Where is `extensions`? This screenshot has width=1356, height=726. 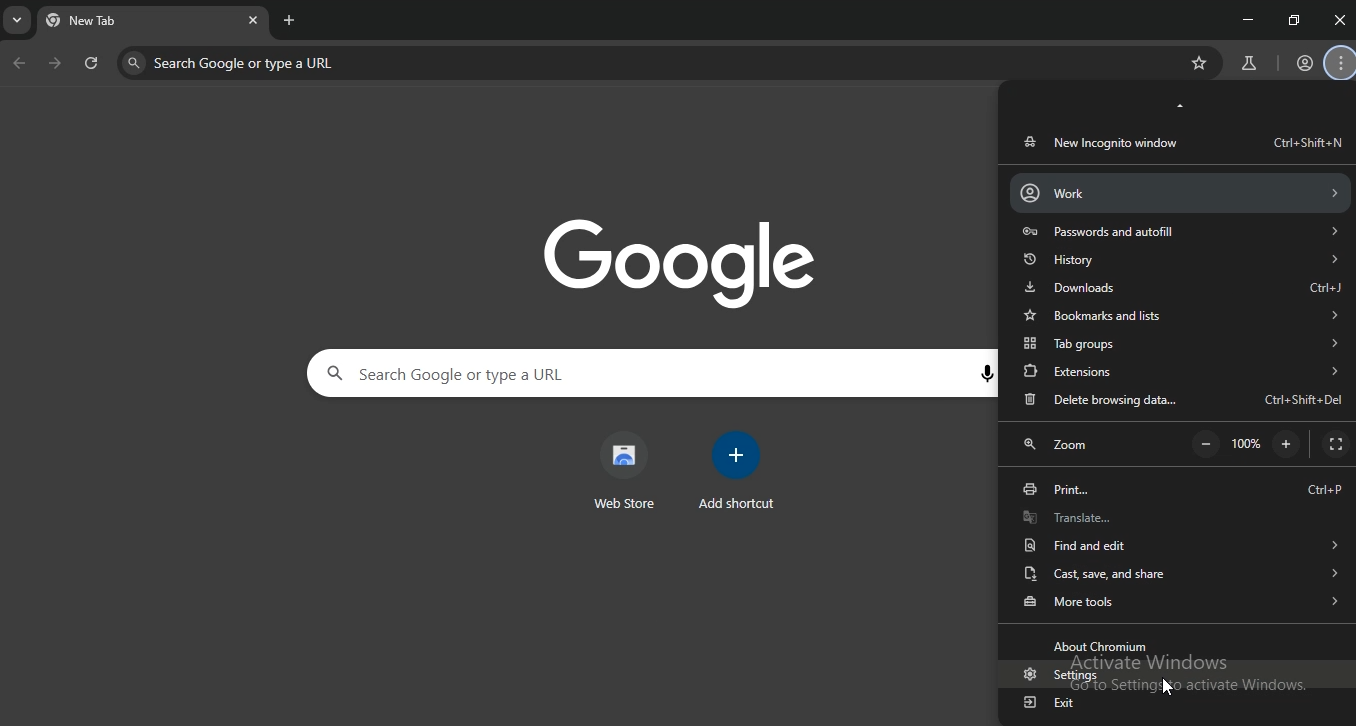
extensions is located at coordinates (1182, 370).